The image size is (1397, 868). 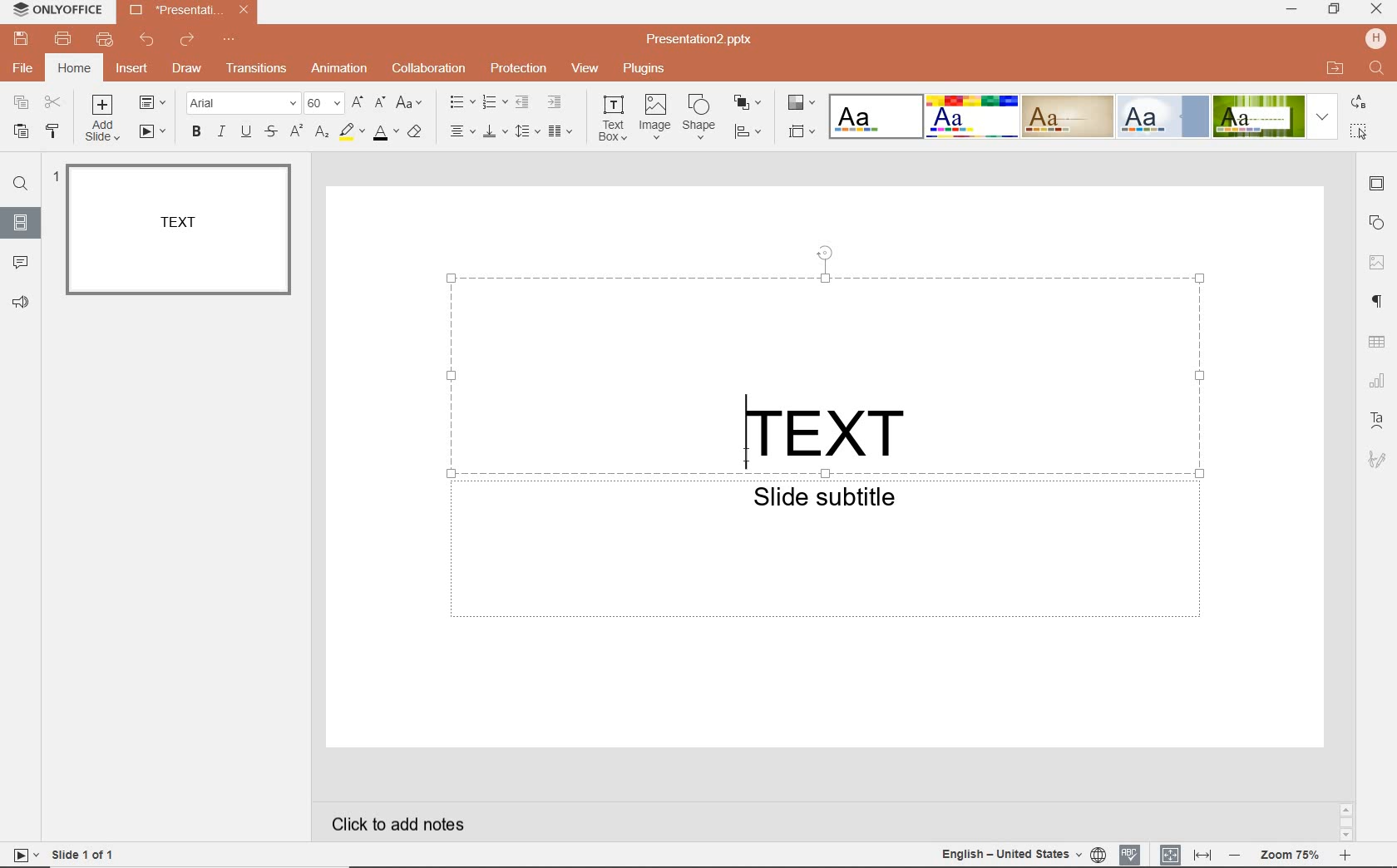 What do you see at coordinates (193, 134) in the screenshot?
I see `BOLD` at bounding box center [193, 134].